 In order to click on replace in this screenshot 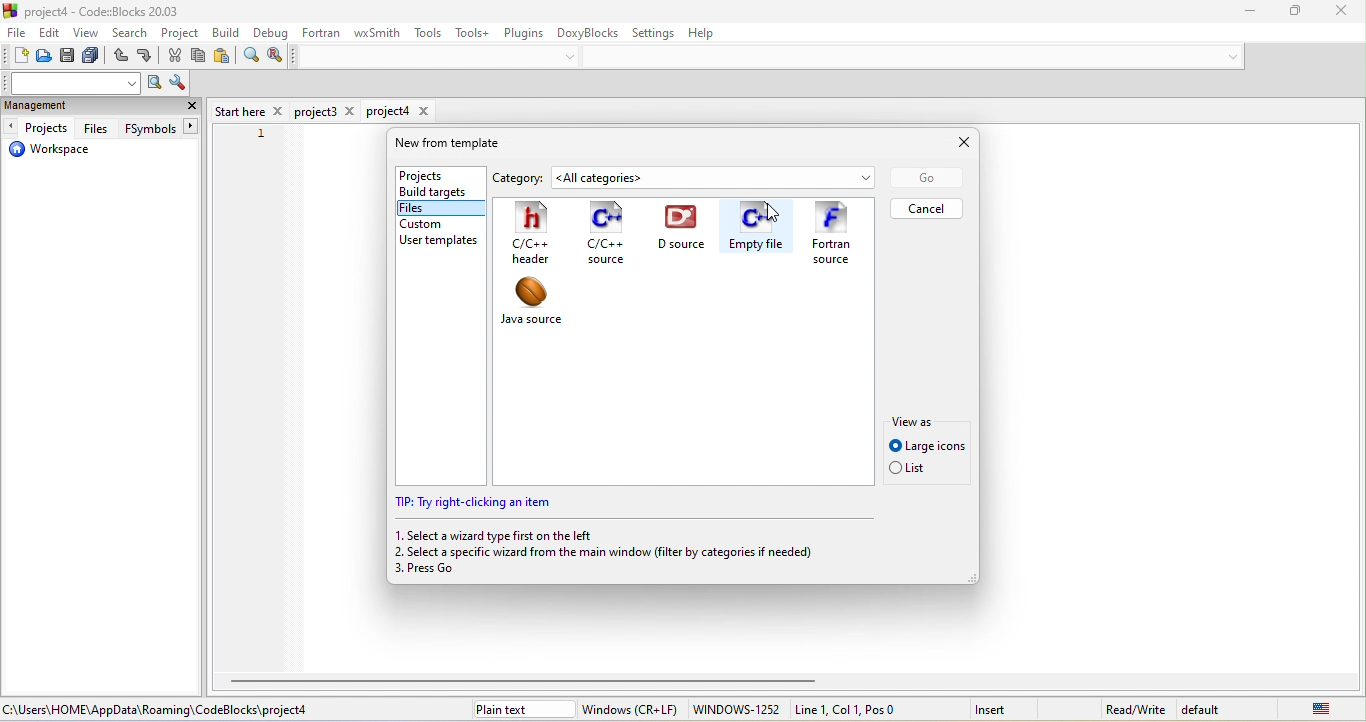, I will do `click(275, 56)`.